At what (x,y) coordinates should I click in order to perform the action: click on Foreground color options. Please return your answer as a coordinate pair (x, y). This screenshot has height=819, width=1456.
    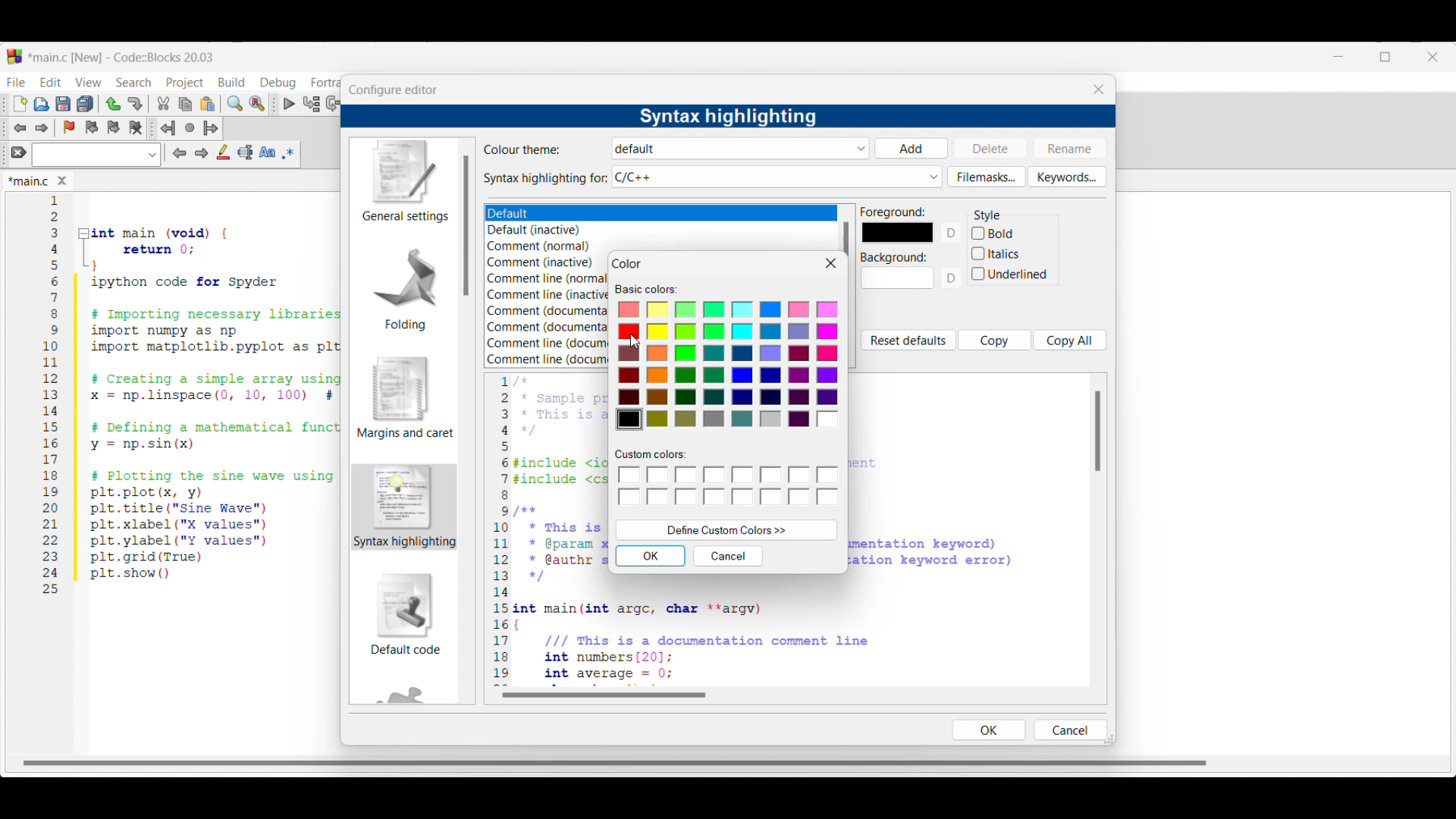
    Looking at the image, I should click on (897, 233).